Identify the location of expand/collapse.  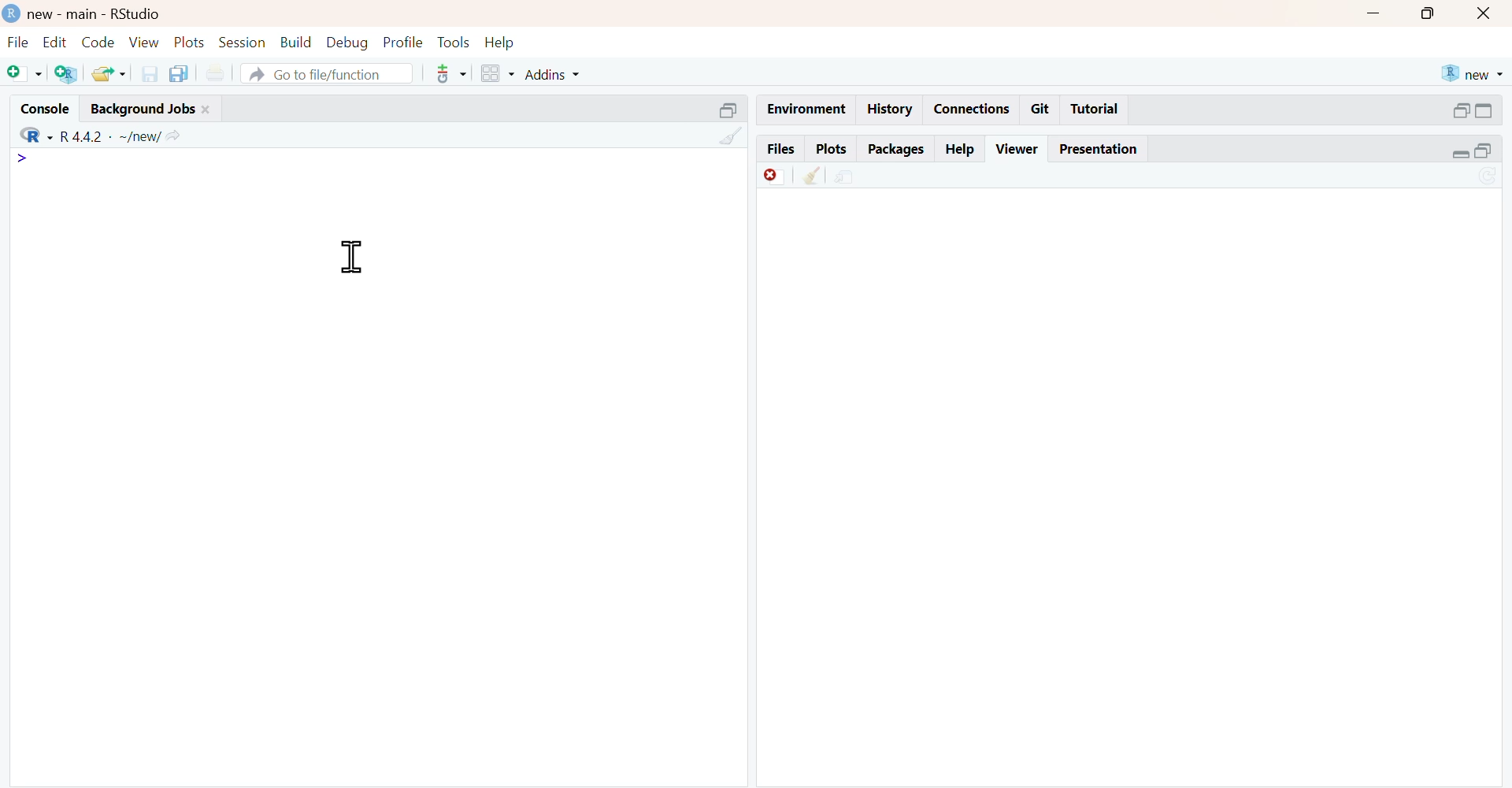
(1460, 154).